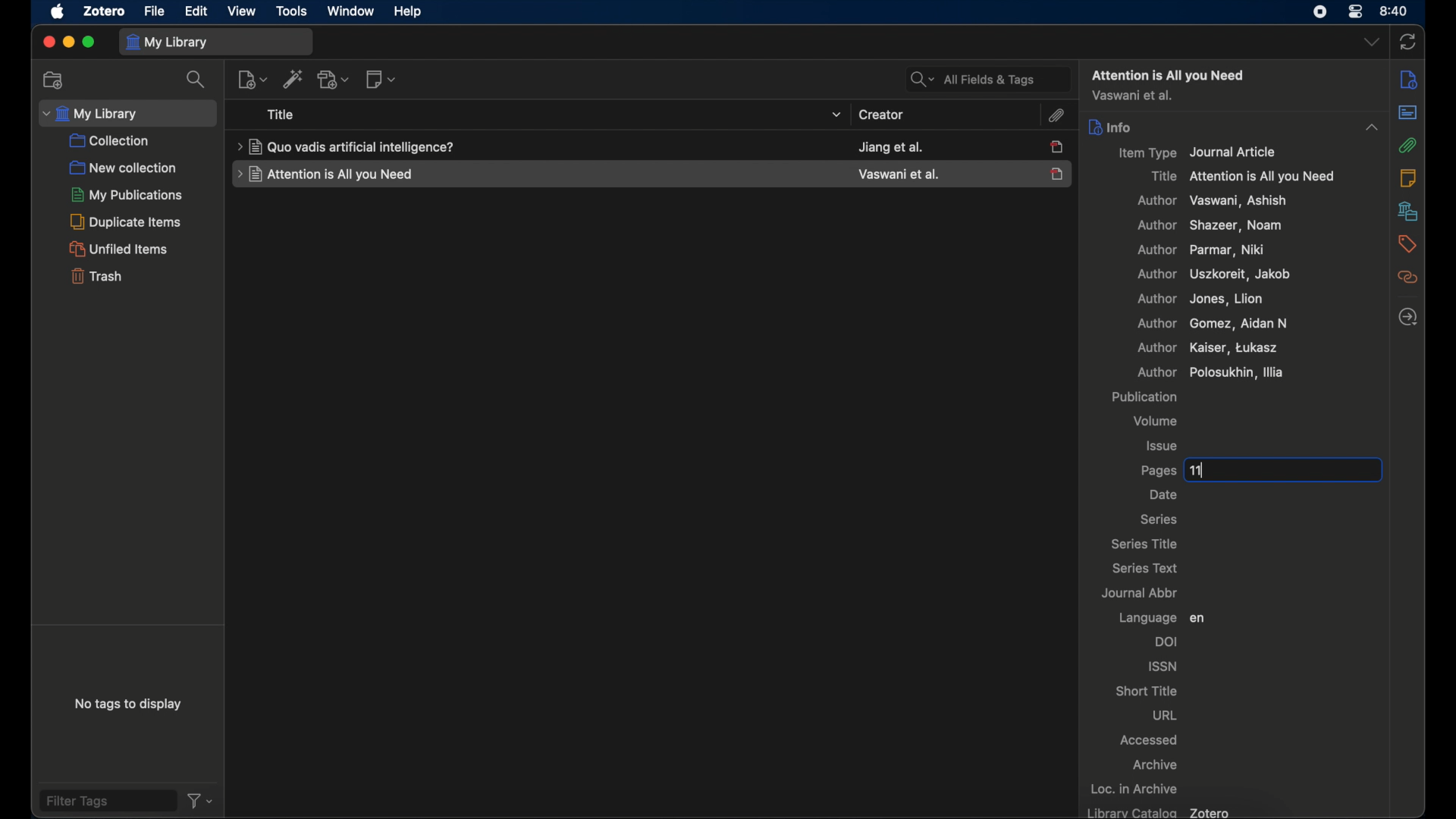 This screenshot has width=1456, height=819. I want to click on url, so click(1166, 717).